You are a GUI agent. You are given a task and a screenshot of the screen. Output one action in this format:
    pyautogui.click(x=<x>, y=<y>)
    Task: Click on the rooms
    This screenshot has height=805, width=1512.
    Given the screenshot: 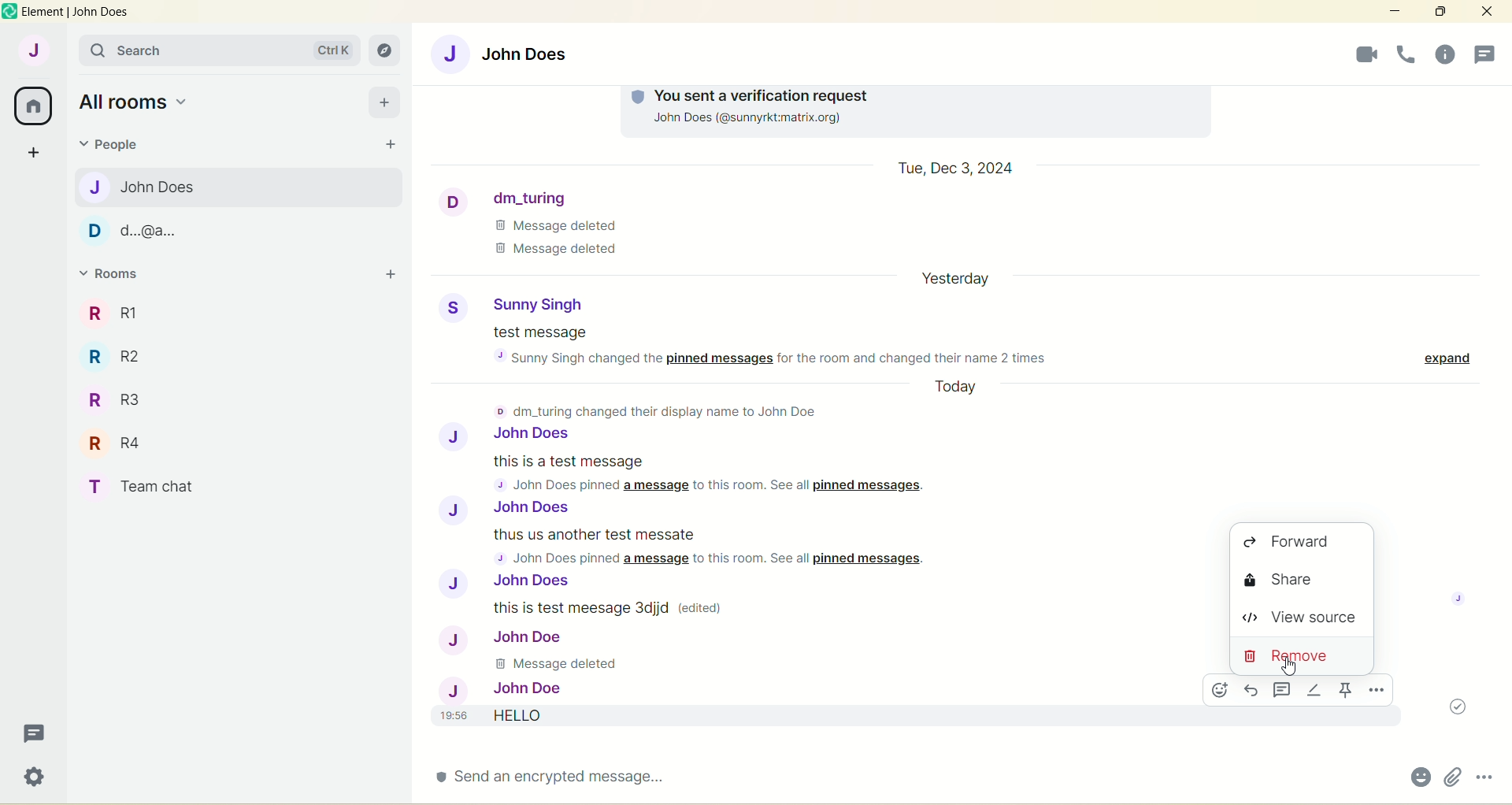 What is the action you would take?
    pyautogui.click(x=114, y=275)
    